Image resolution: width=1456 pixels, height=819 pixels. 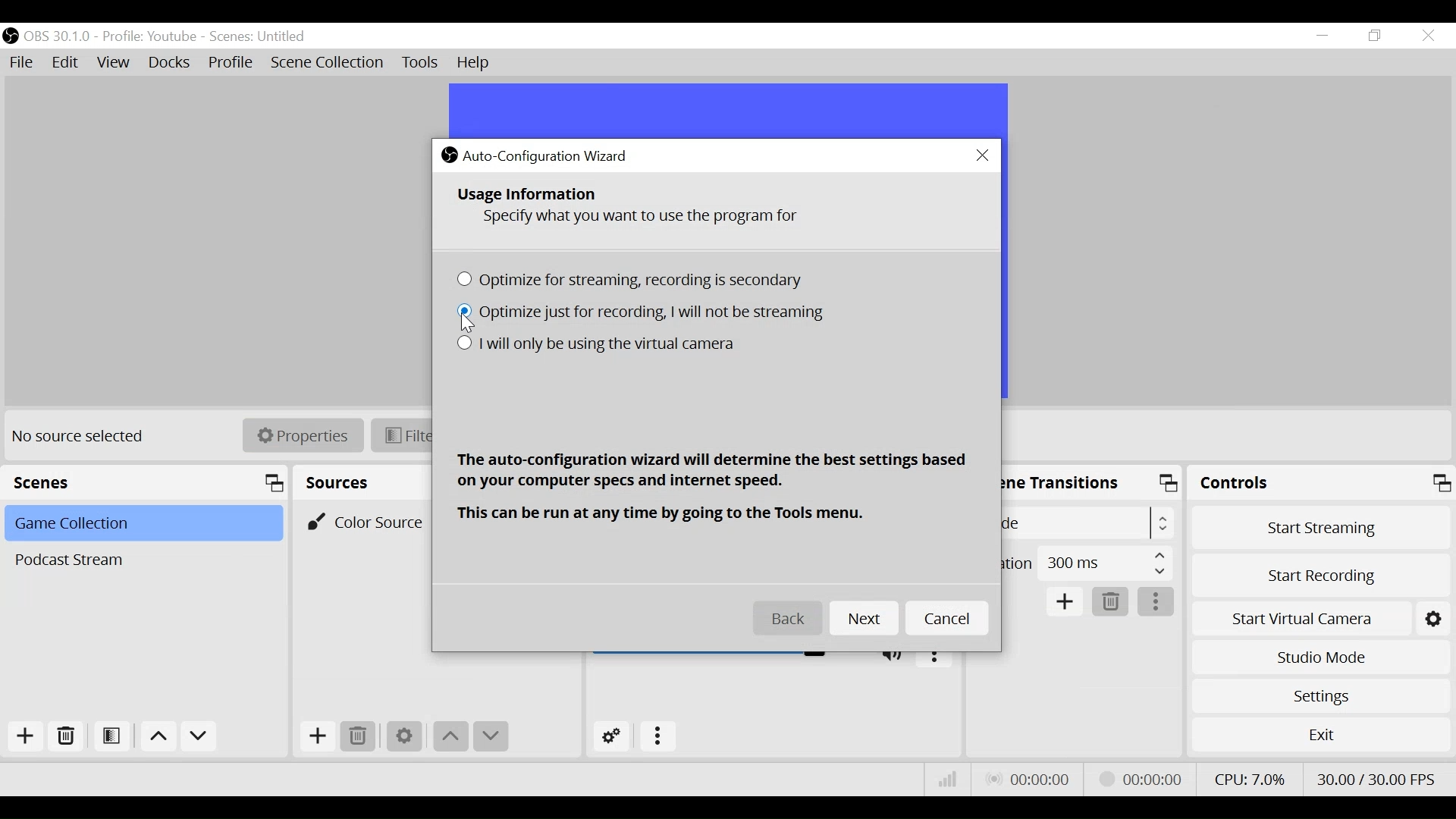 What do you see at coordinates (477, 63) in the screenshot?
I see `Help` at bounding box center [477, 63].